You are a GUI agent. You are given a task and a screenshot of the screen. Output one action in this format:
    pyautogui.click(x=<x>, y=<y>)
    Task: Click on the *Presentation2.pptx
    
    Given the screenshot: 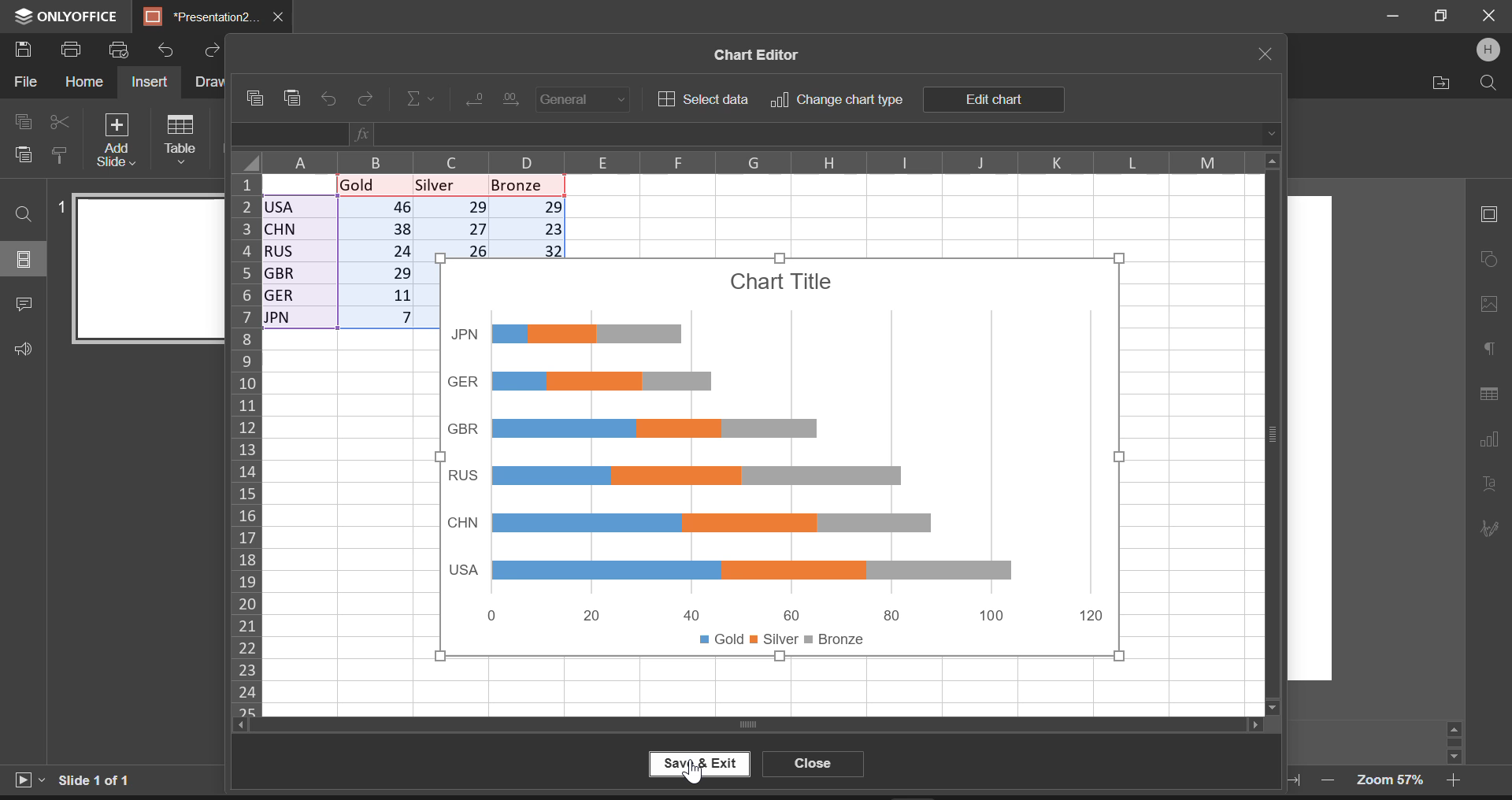 What is the action you would take?
    pyautogui.click(x=201, y=17)
    